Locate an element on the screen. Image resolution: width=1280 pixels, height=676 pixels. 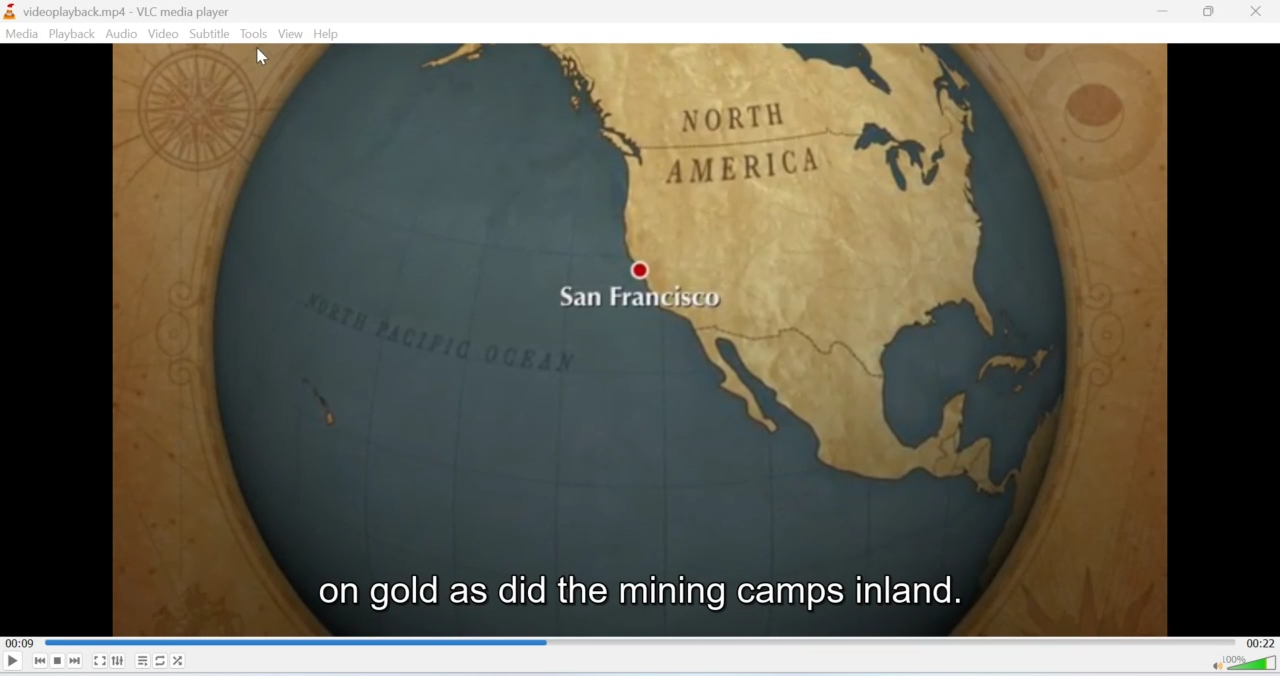
Extended Settings is located at coordinates (118, 661).